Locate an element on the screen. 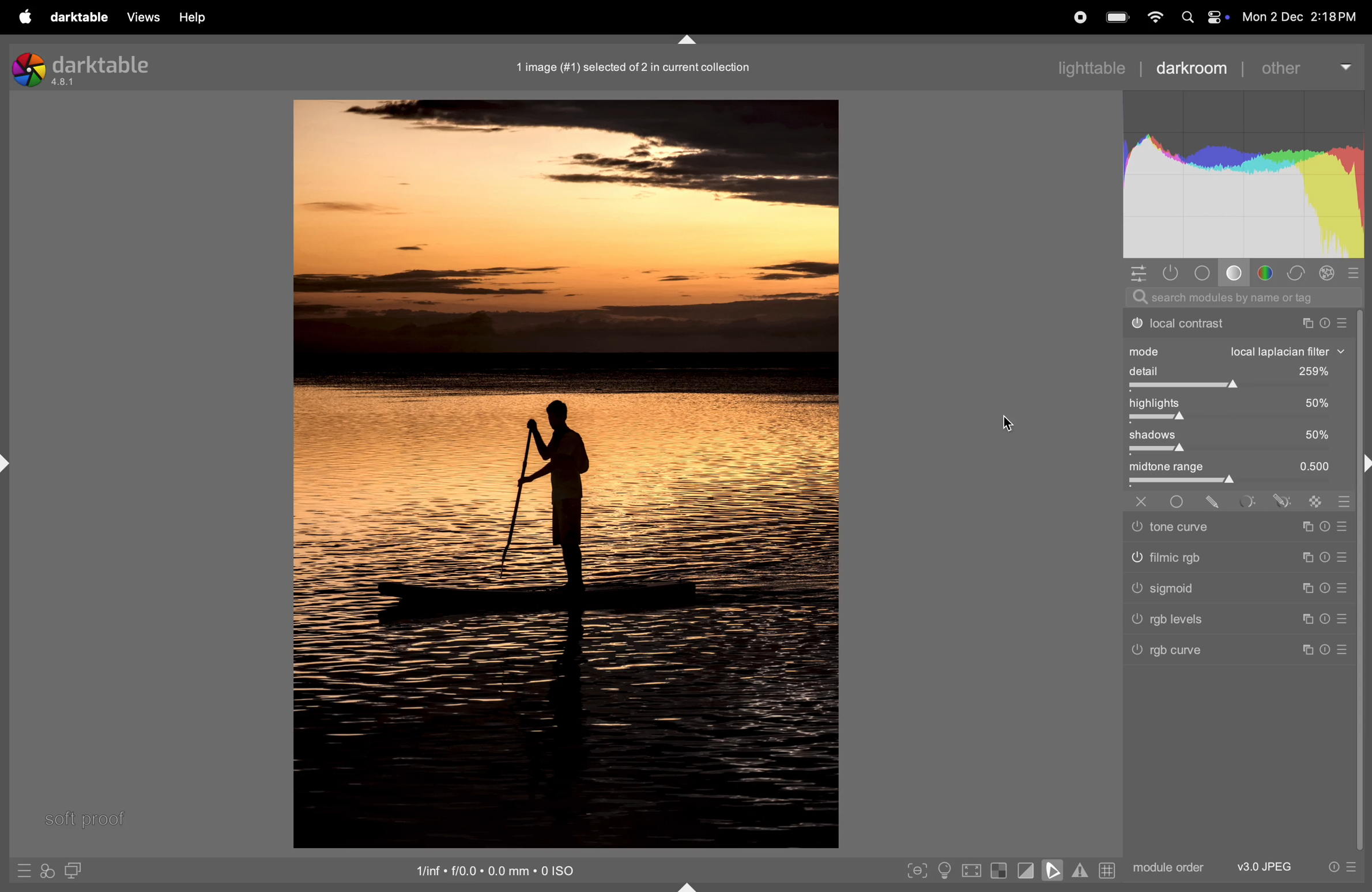 The width and height of the screenshot is (1372, 892). sign is located at coordinates (1344, 560).